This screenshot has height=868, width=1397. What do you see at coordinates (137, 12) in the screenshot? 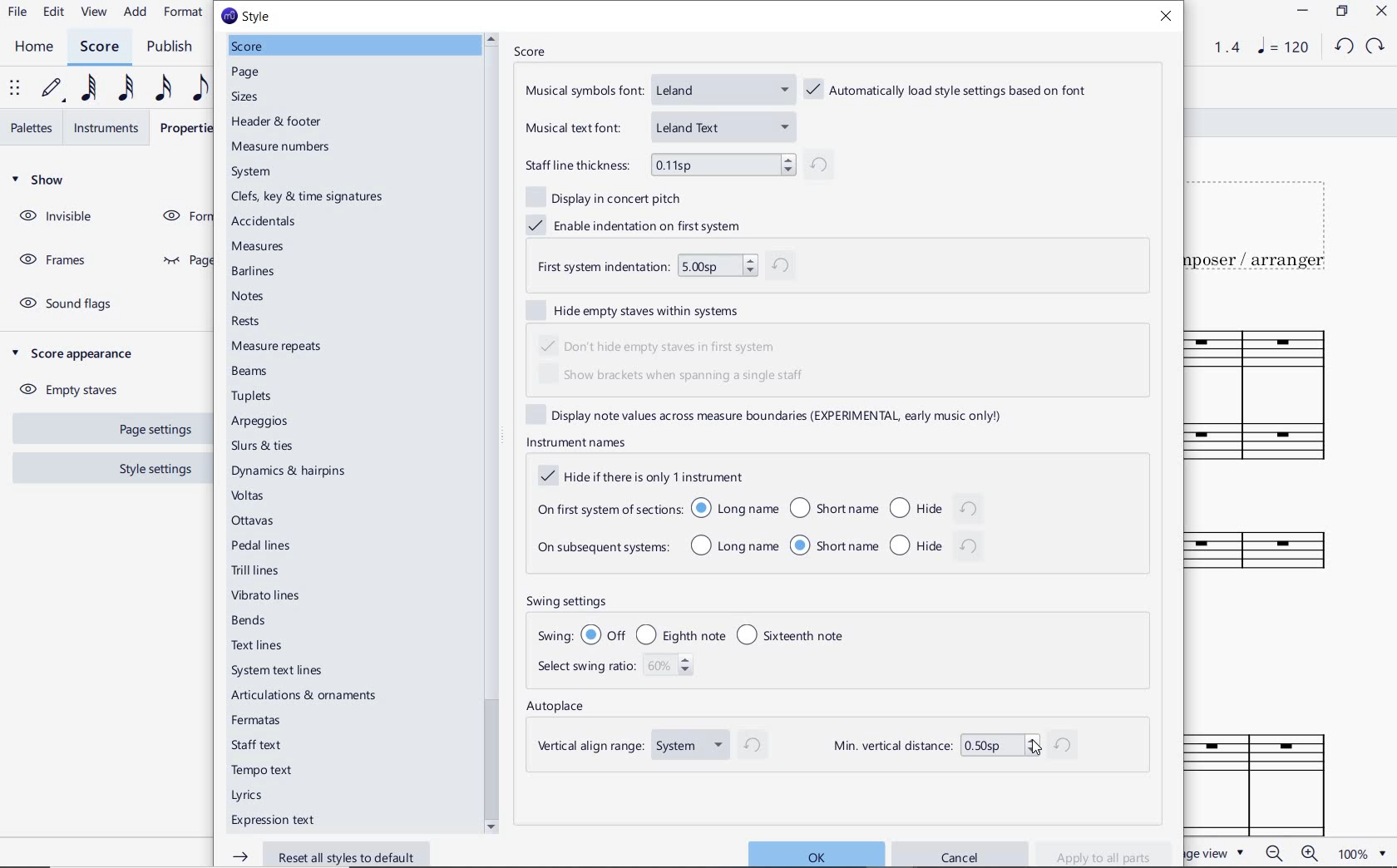
I see `ADD` at bounding box center [137, 12].